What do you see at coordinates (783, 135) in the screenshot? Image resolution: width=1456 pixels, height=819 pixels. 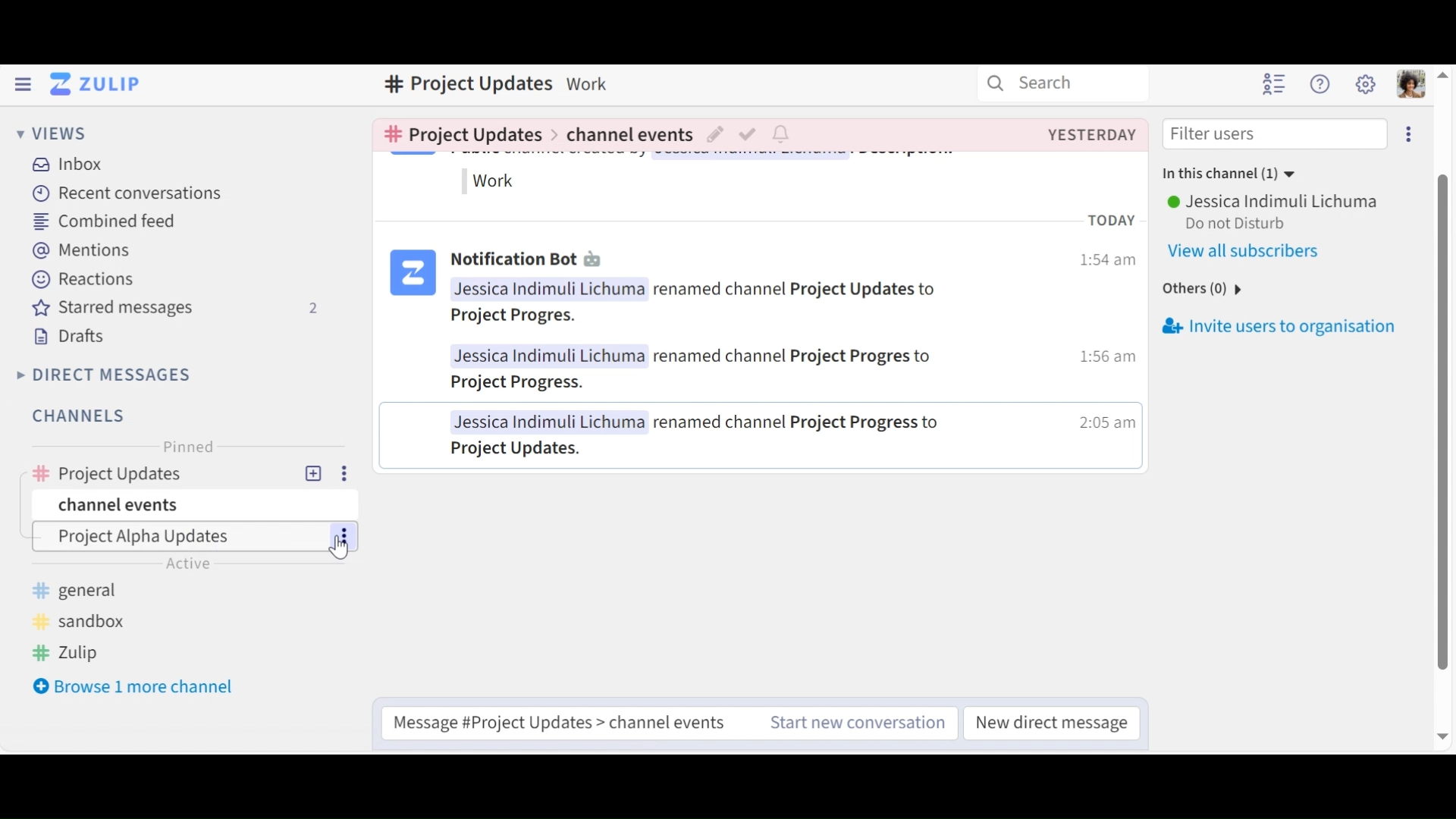 I see `Configure notification` at bounding box center [783, 135].